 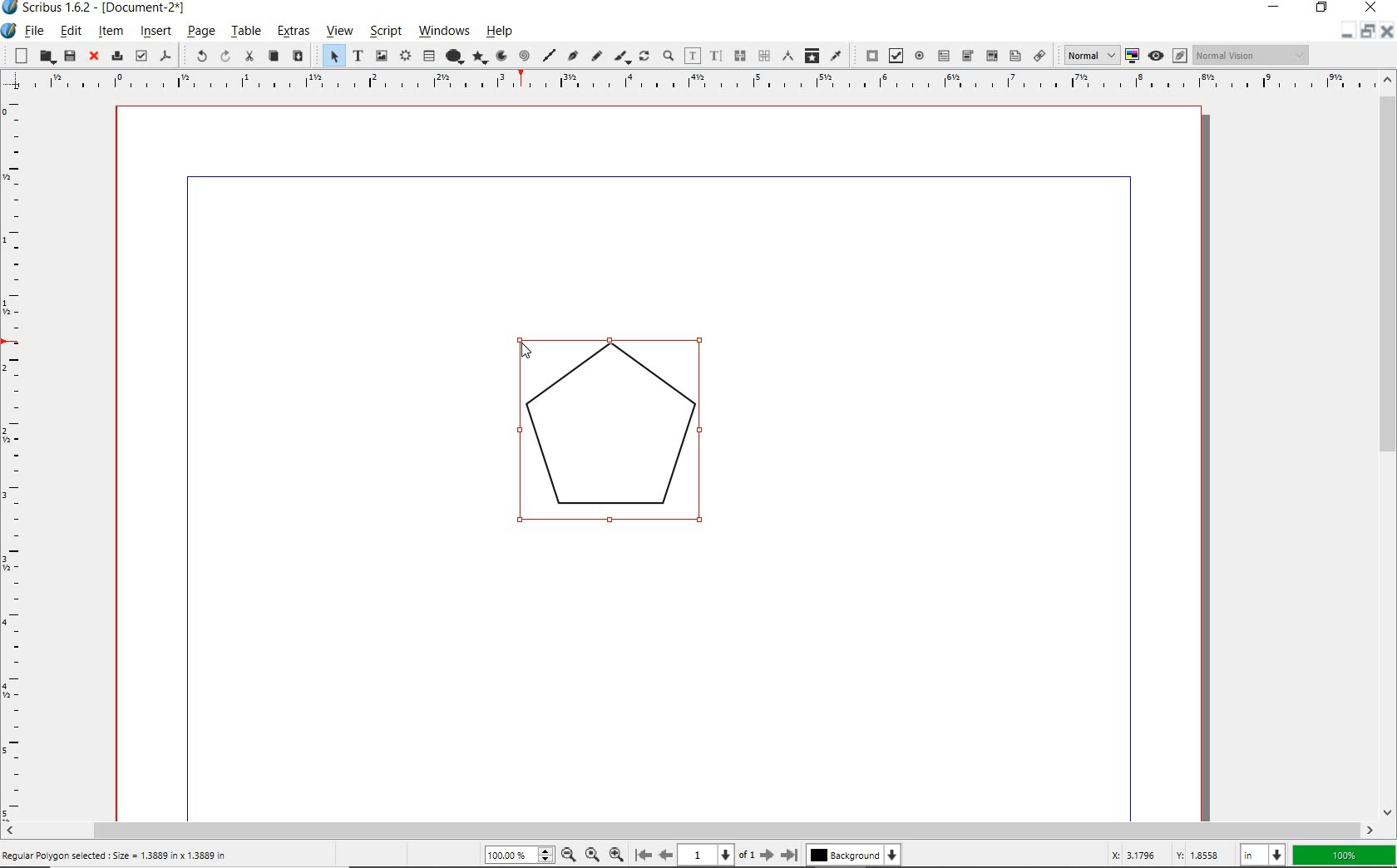 What do you see at coordinates (569, 855) in the screenshot?
I see `zoom out` at bounding box center [569, 855].